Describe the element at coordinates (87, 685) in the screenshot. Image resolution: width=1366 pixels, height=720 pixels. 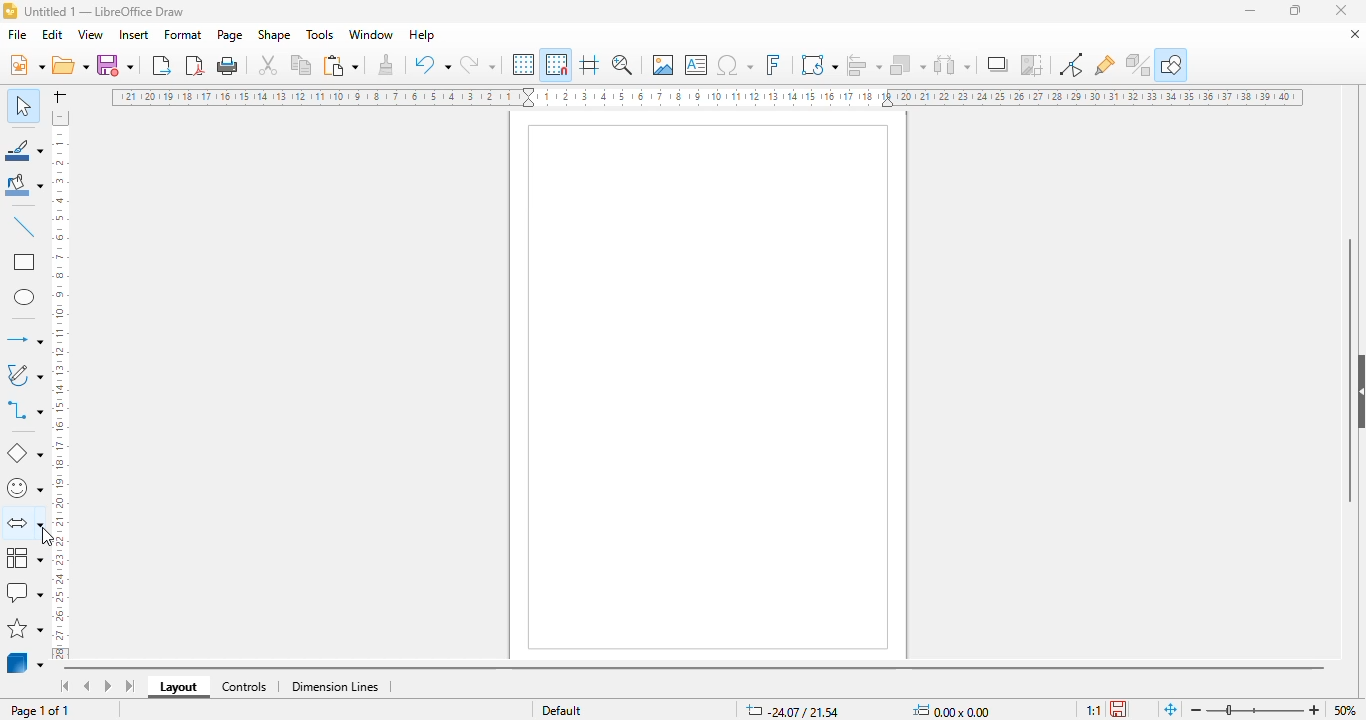
I see `scroll to previous sheet` at that location.